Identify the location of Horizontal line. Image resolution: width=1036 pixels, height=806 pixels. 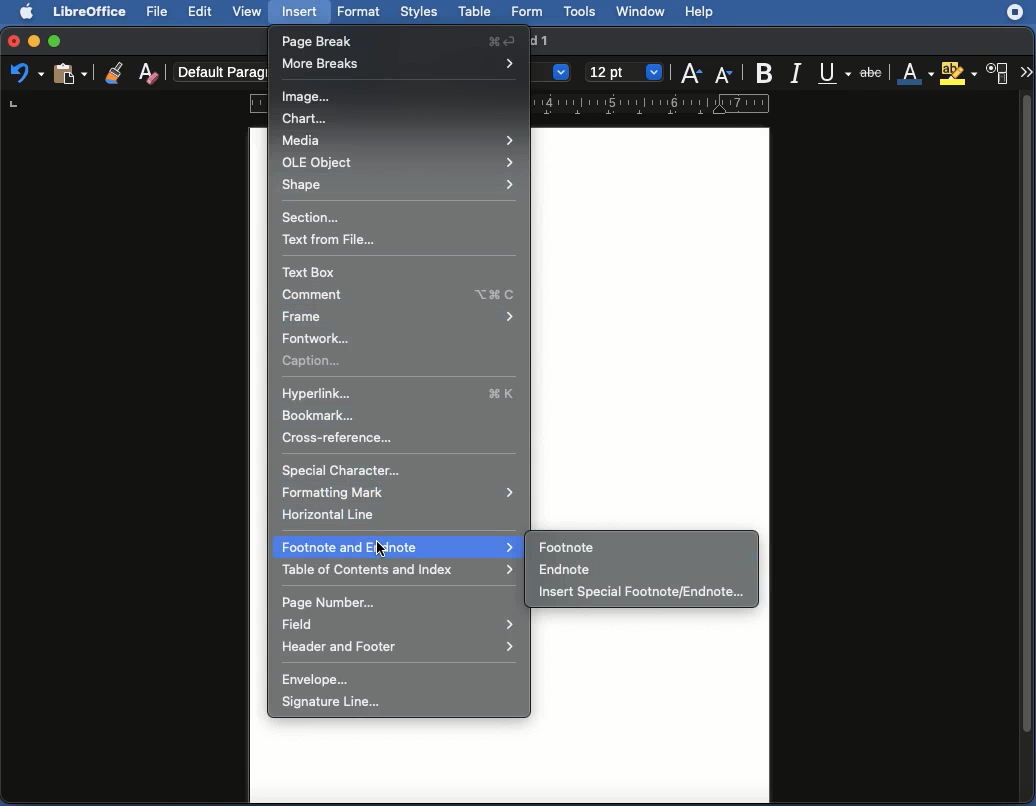
(333, 514).